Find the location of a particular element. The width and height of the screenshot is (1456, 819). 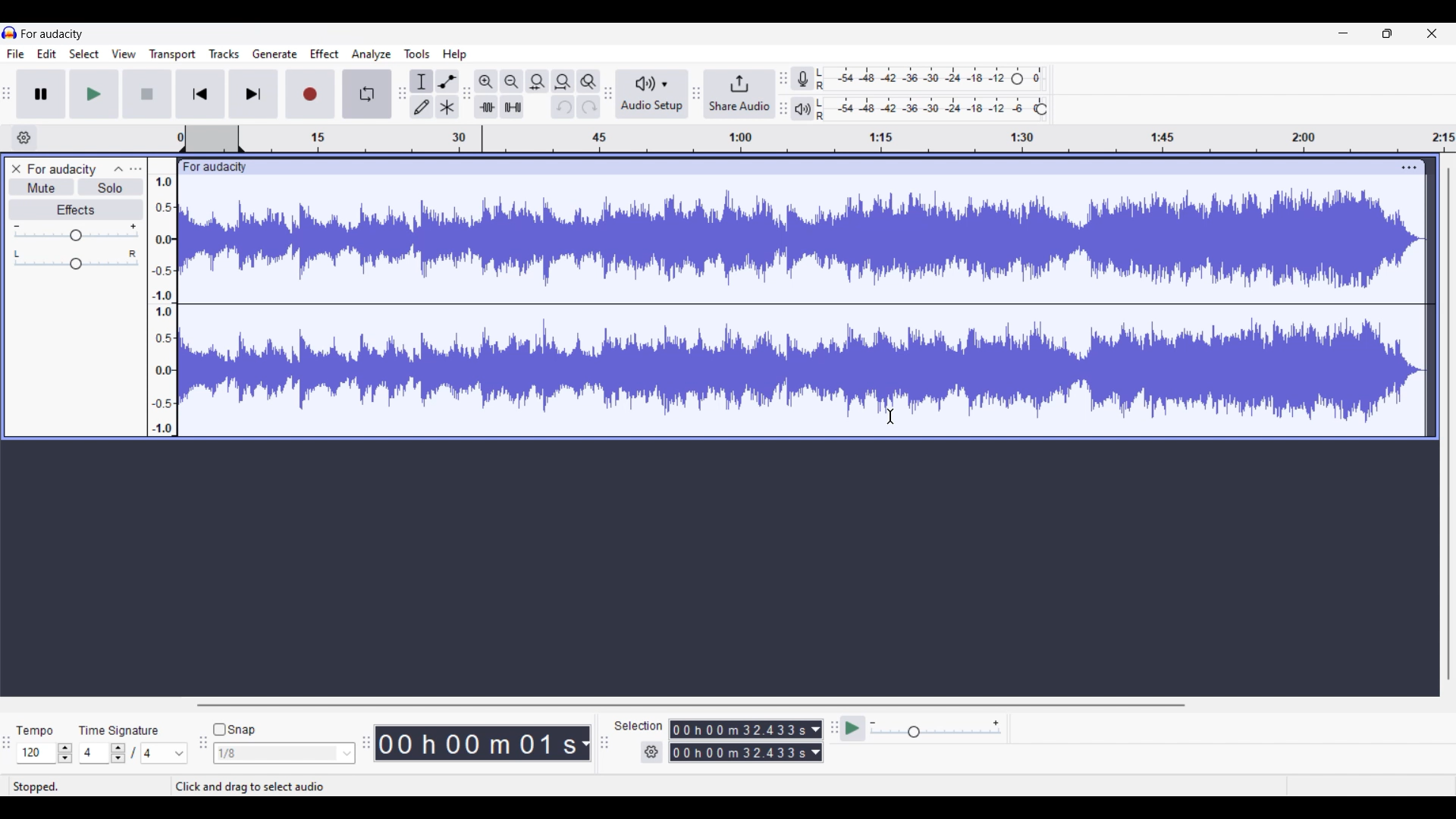

Audio setup is located at coordinates (652, 93).